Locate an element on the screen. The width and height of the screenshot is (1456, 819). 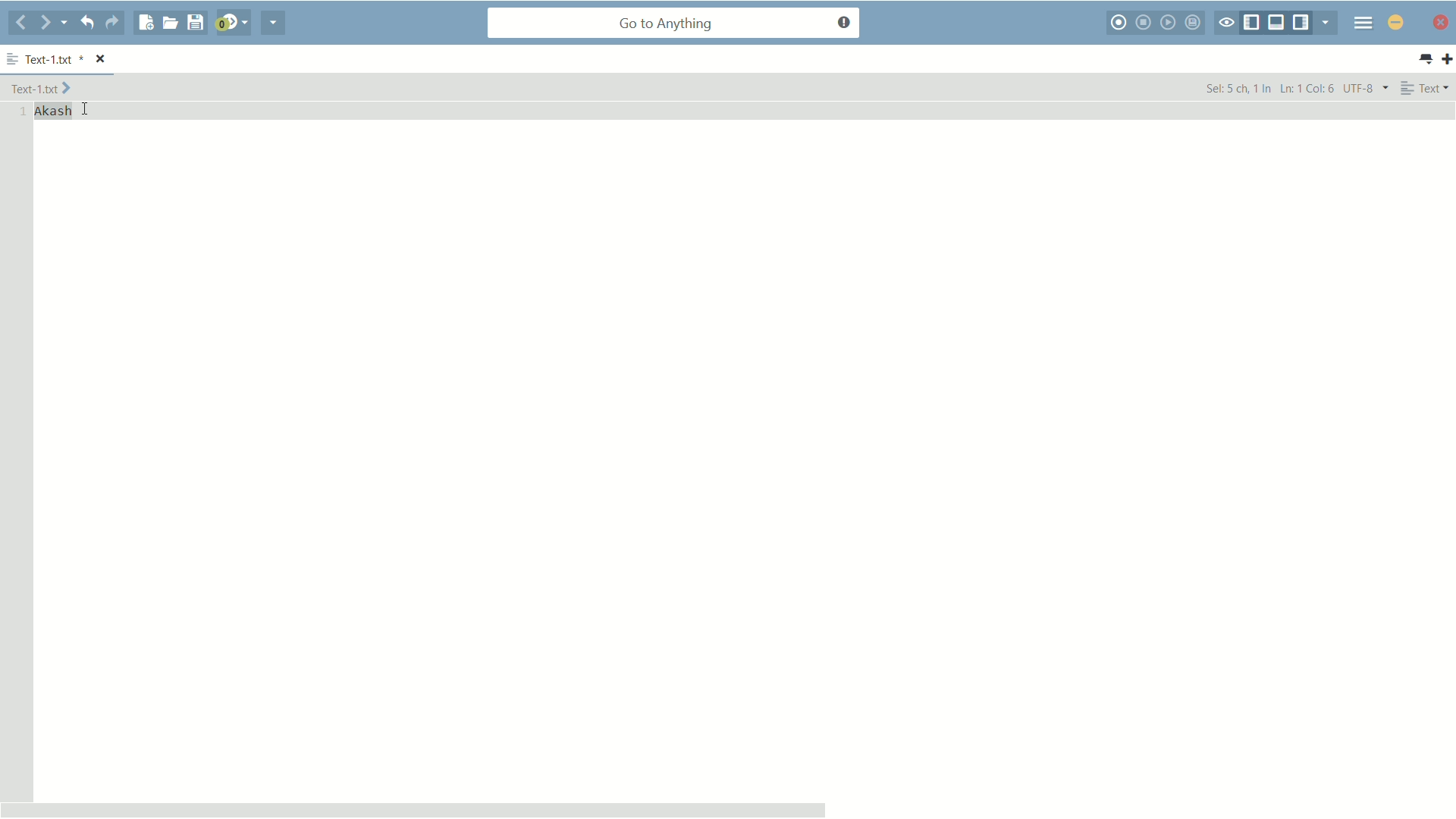
list all tab is located at coordinates (1425, 59).